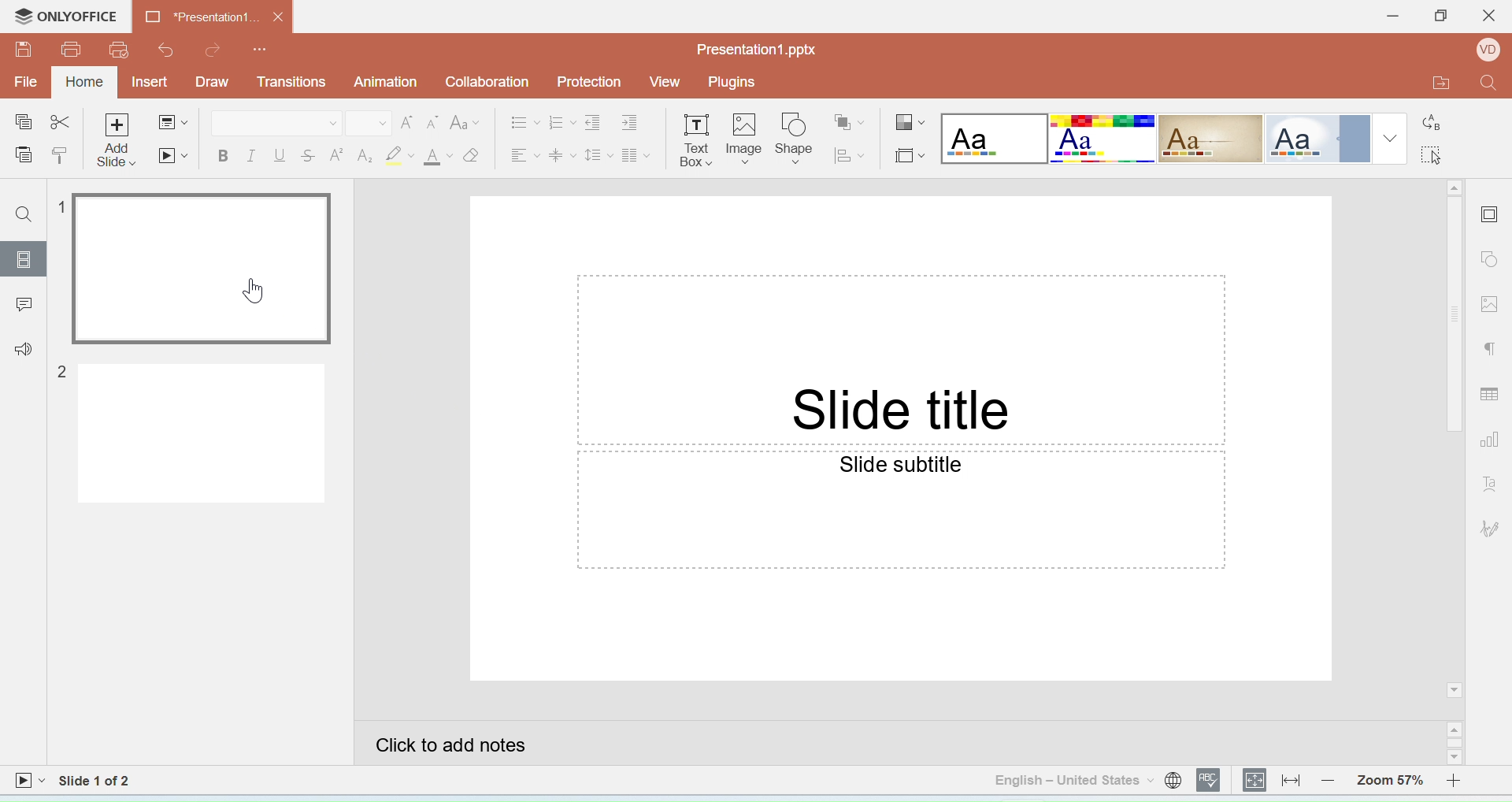 The height and width of the screenshot is (802, 1512). Describe the element at coordinates (1211, 139) in the screenshot. I see `Lines` at that location.